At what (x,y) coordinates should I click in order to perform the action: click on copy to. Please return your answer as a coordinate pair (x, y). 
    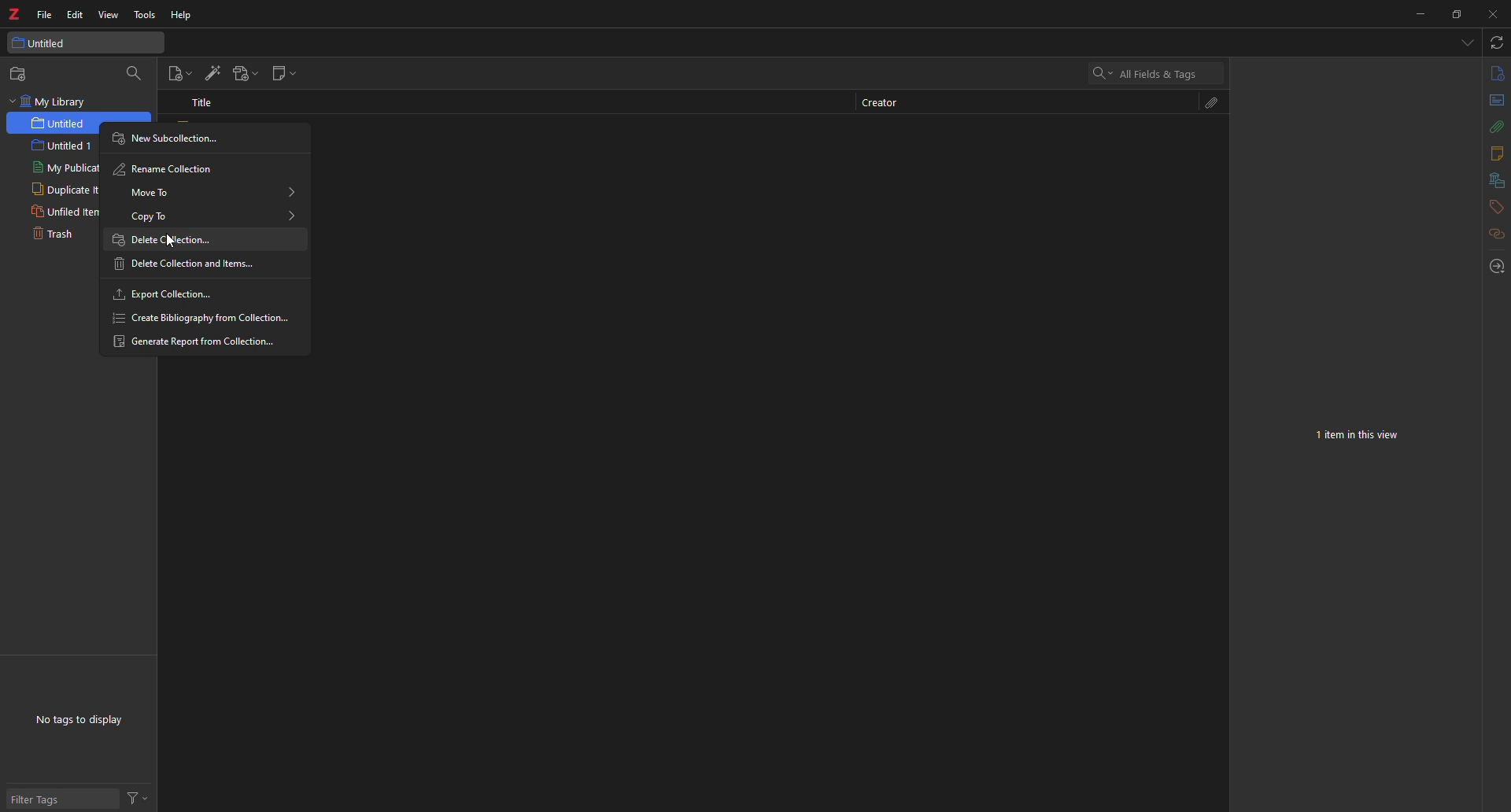
    Looking at the image, I should click on (213, 216).